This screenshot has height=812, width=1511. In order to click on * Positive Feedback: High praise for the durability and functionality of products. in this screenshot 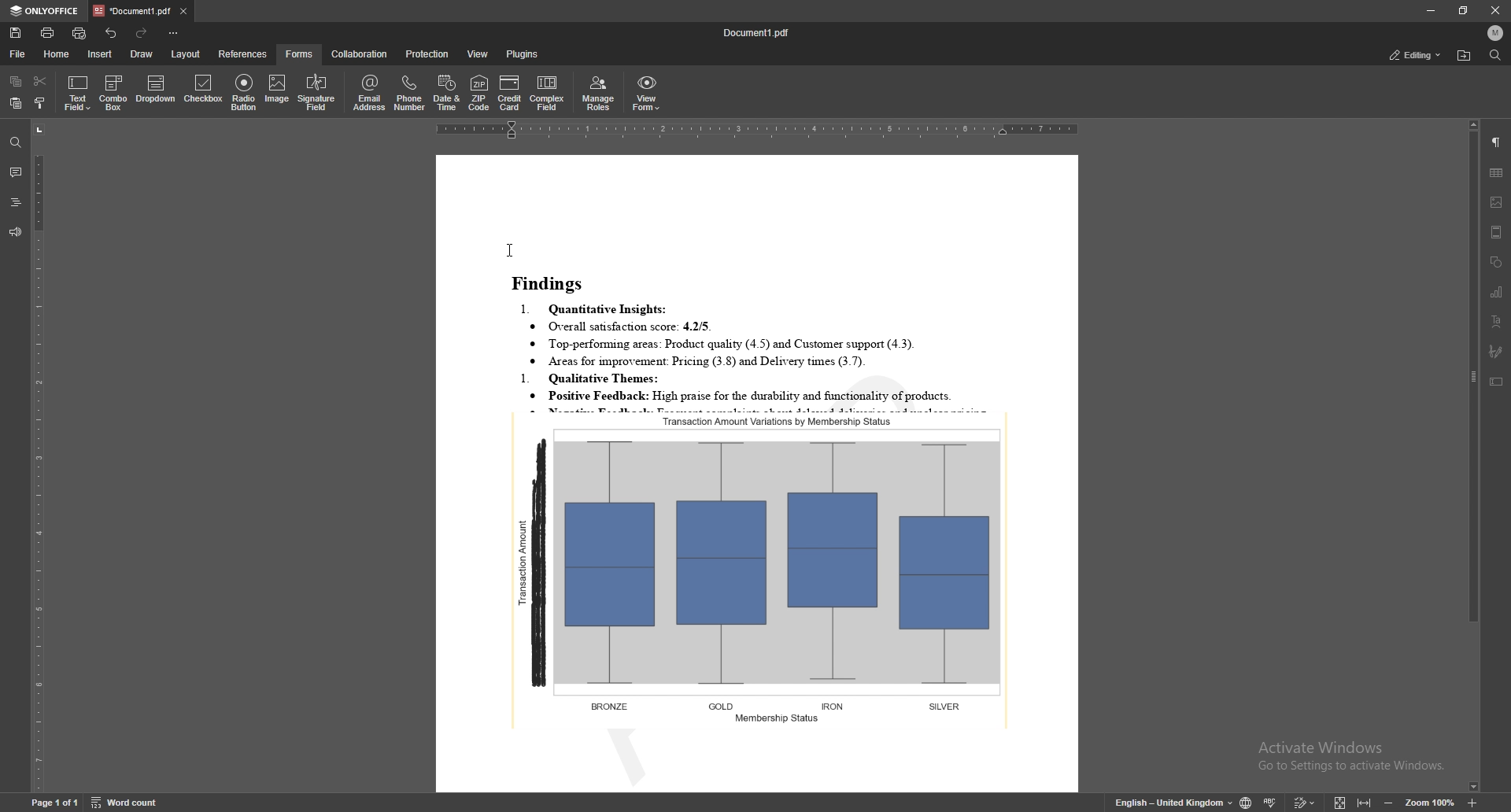, I will do `click(767, 397)`.